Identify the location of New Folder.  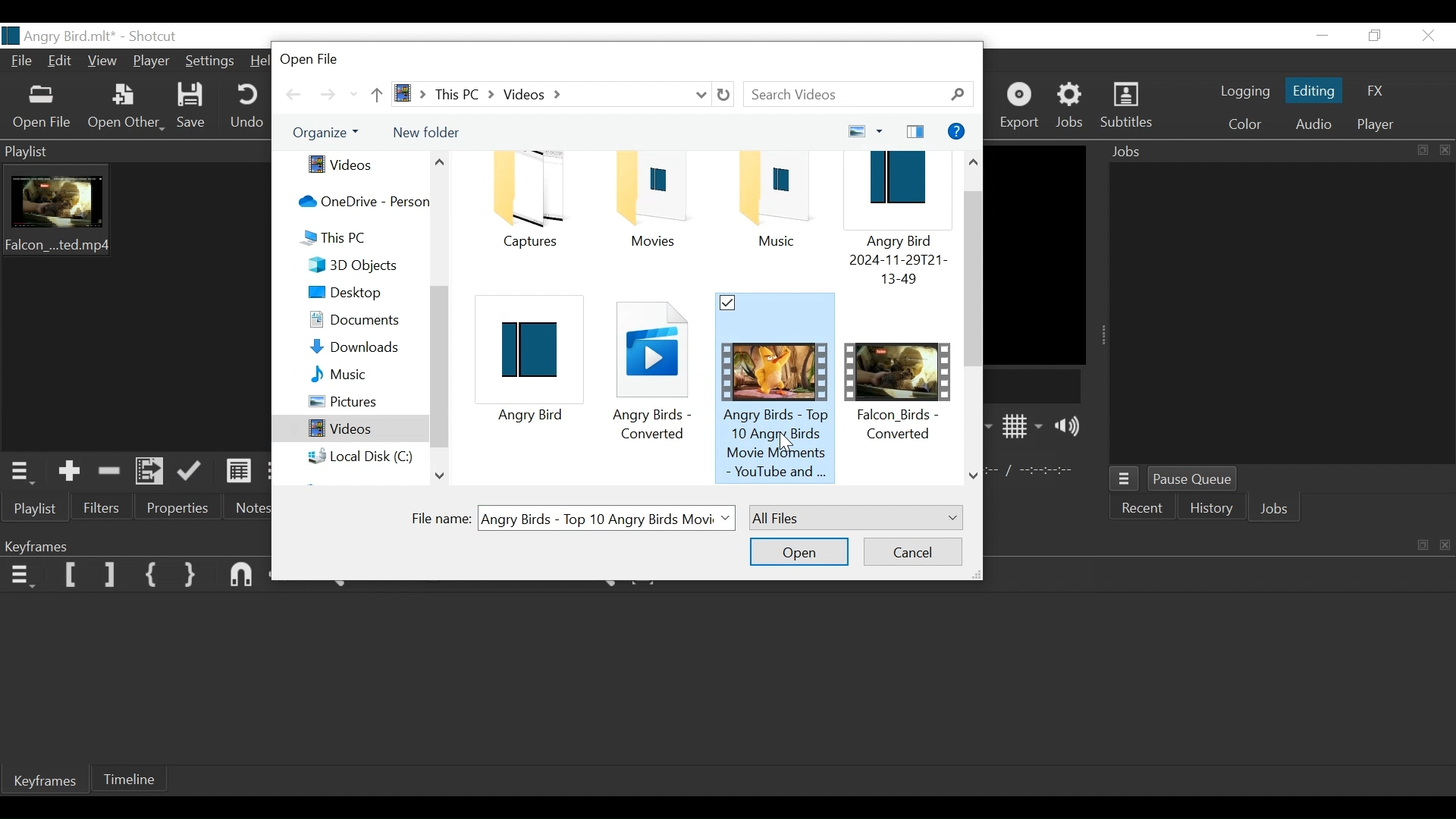
(426, 131).